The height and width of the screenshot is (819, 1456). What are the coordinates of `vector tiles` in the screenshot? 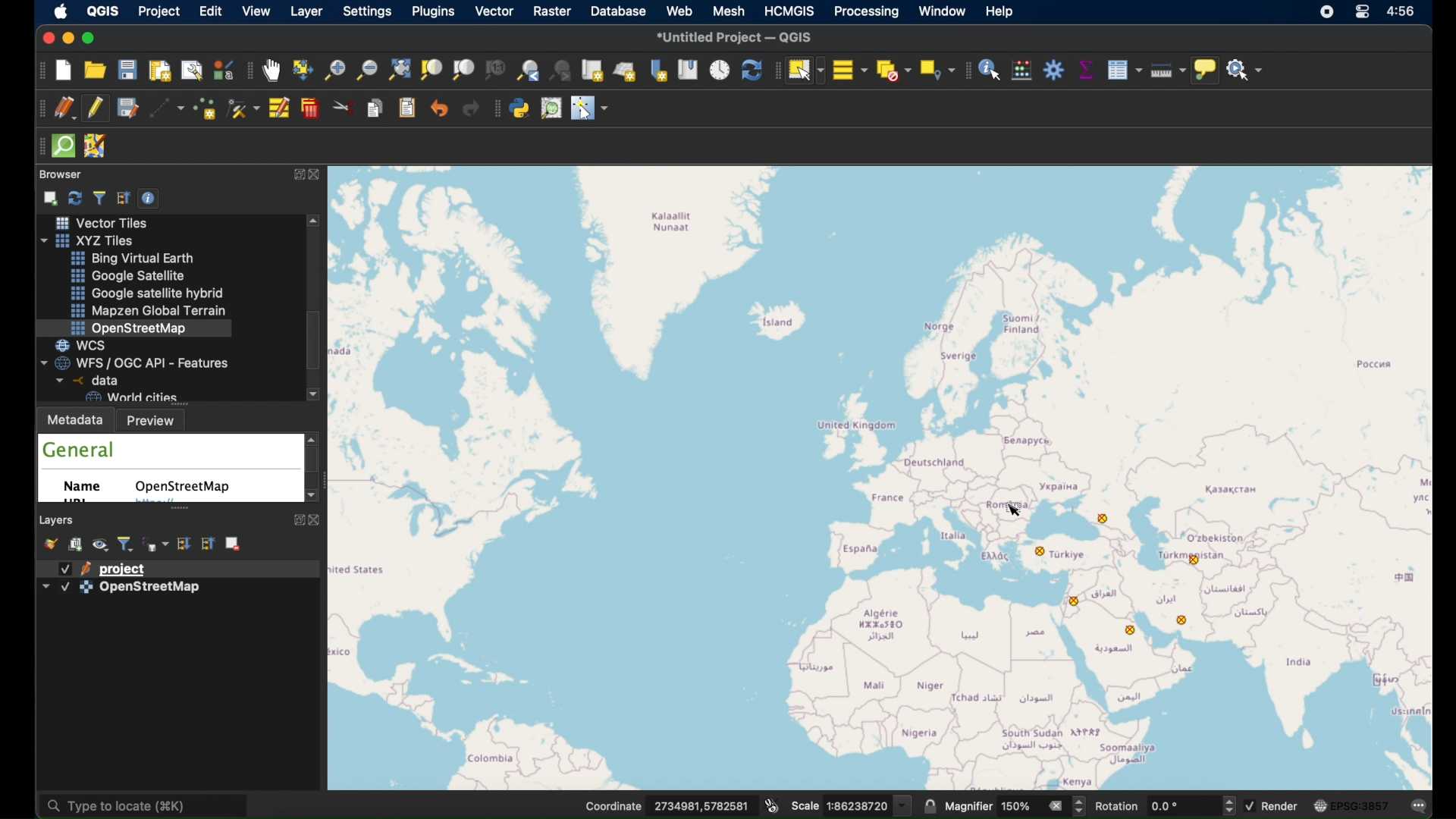 It's located at (99, 222).